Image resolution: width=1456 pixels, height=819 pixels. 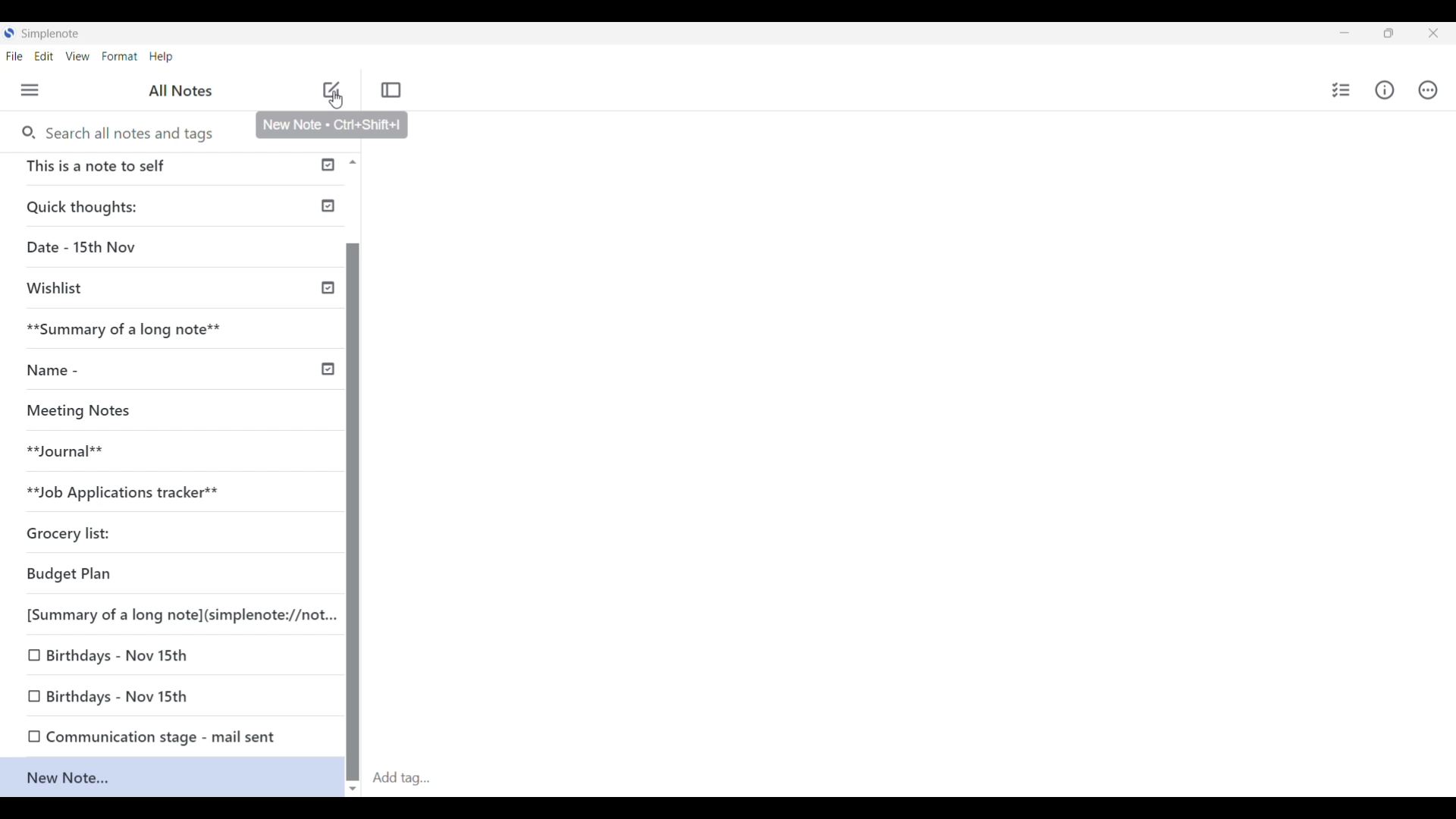 What do you see at coordinates (331, 125) in the screenshot?
I see `Description of current selection` at bounding box center [331, 125].